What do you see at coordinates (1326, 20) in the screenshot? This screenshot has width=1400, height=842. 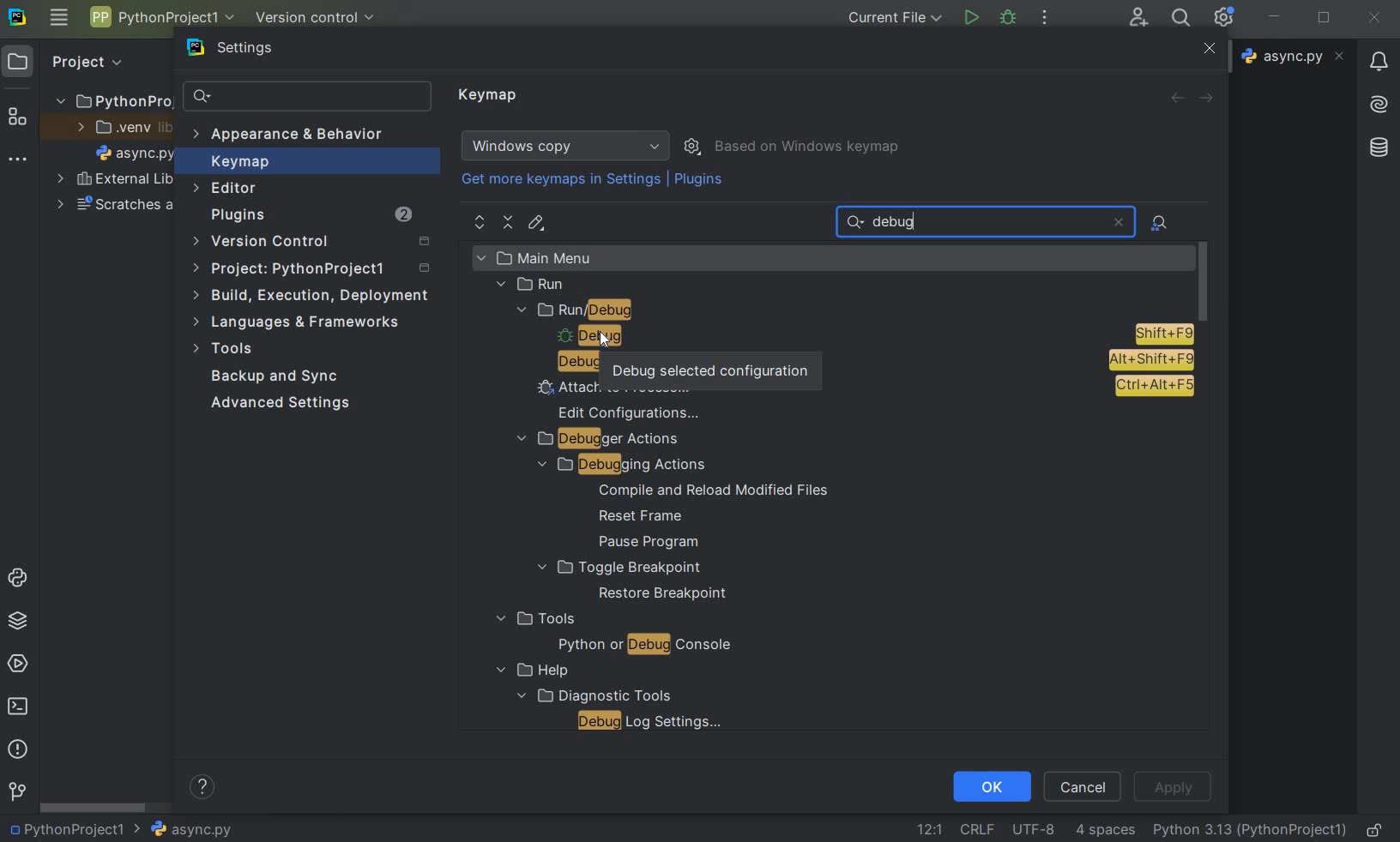 I see `restore down` at bounding box center [1326, 20].